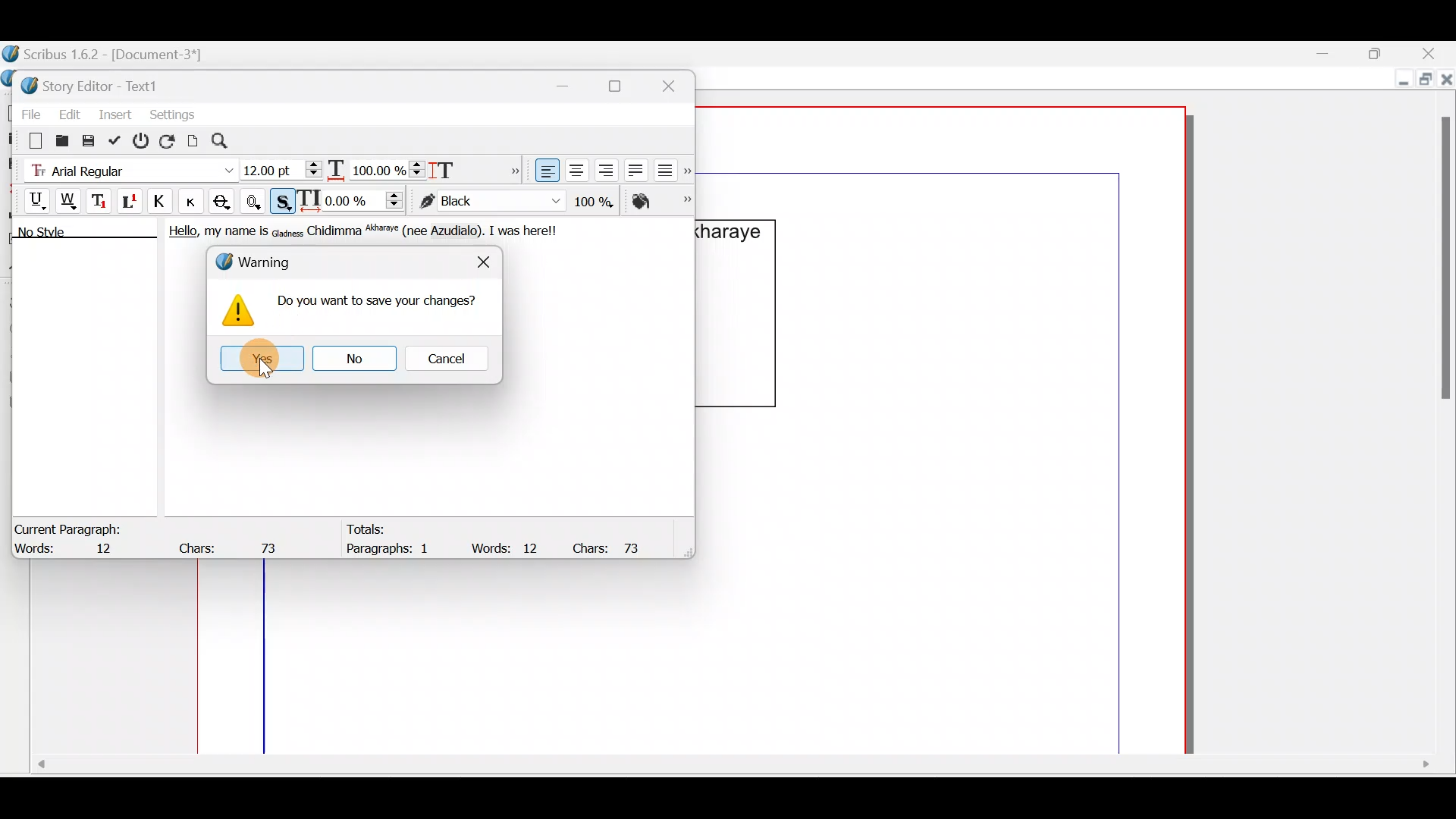 The image size is (1456, 819). Describe the element at coordinates (1440, 414) in the screenshot. I see `Scroll bar` at that location.